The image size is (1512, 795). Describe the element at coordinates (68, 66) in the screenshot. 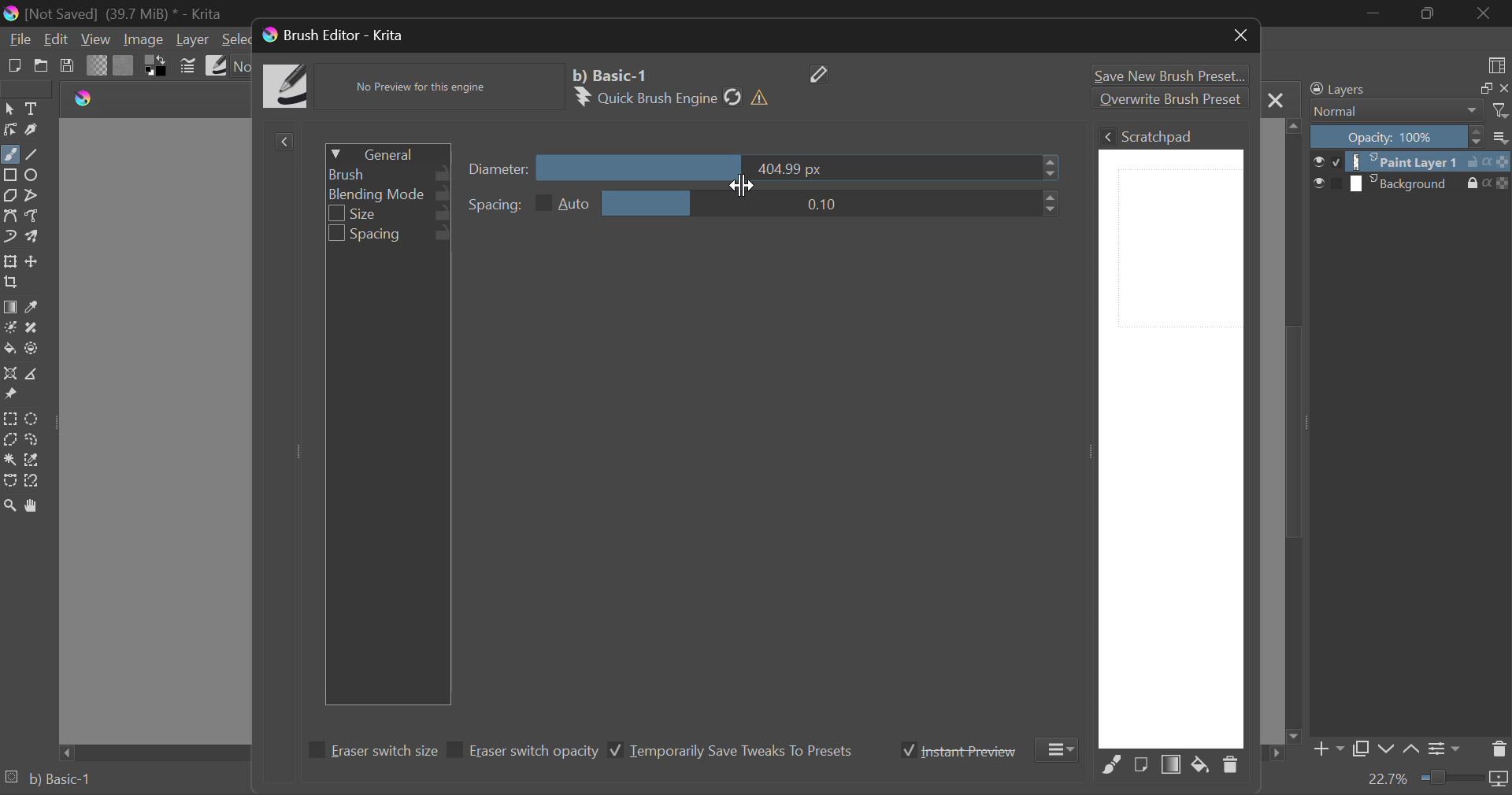

I see `Save` at that location.